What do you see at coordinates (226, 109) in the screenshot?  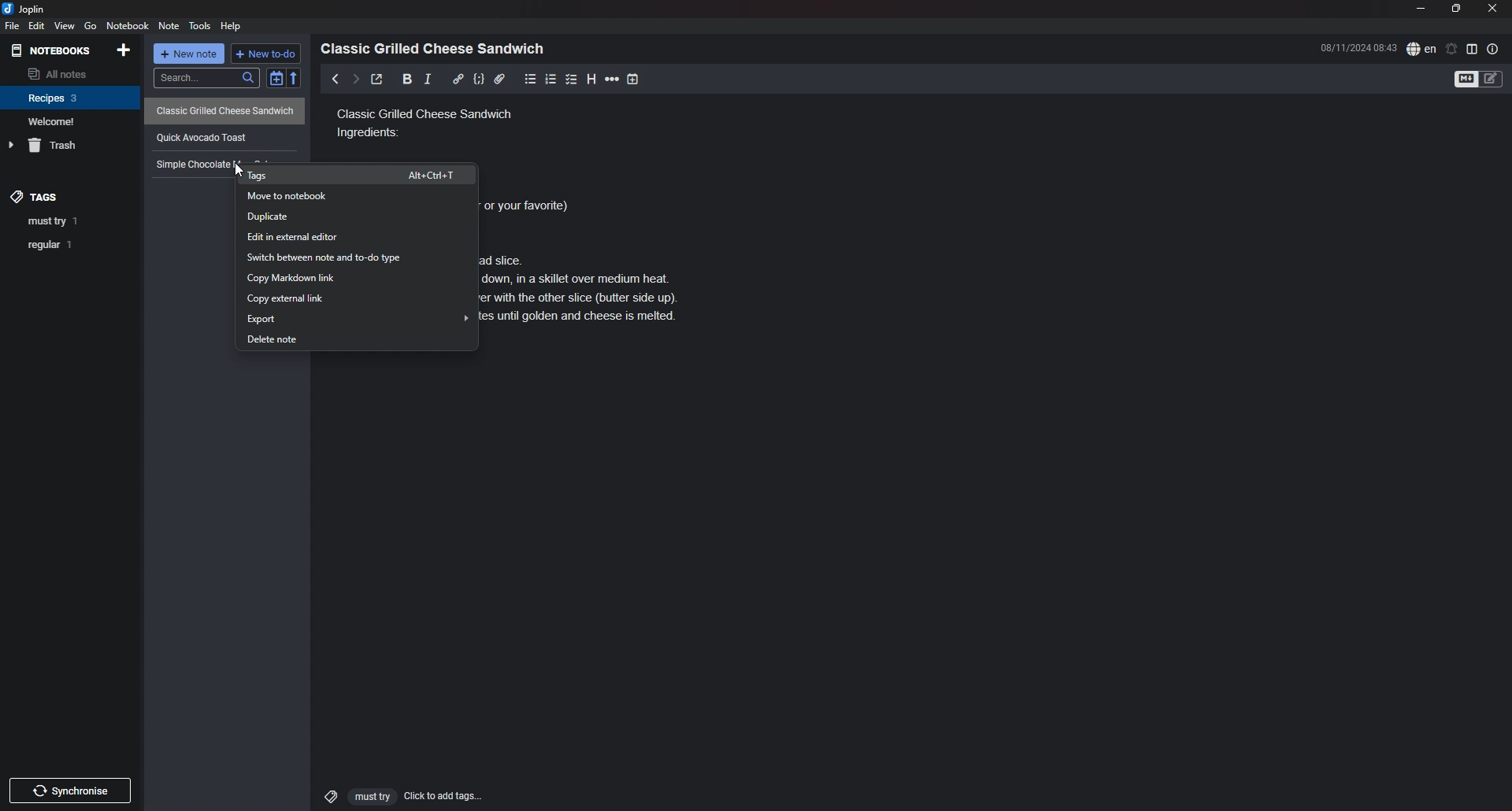 I see `Classic Grilled Cheese Sandwich` at bounding box center [226, 109].